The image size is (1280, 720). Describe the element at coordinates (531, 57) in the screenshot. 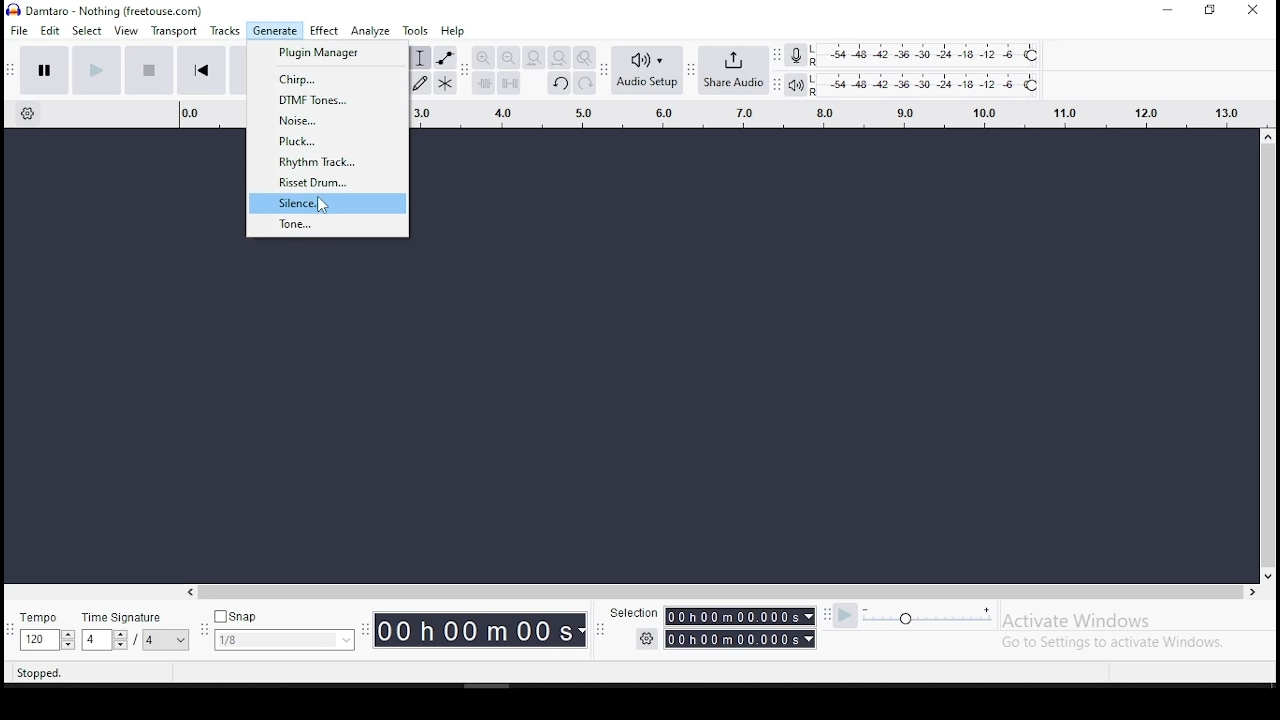

I see `fit selection to width` at that location.